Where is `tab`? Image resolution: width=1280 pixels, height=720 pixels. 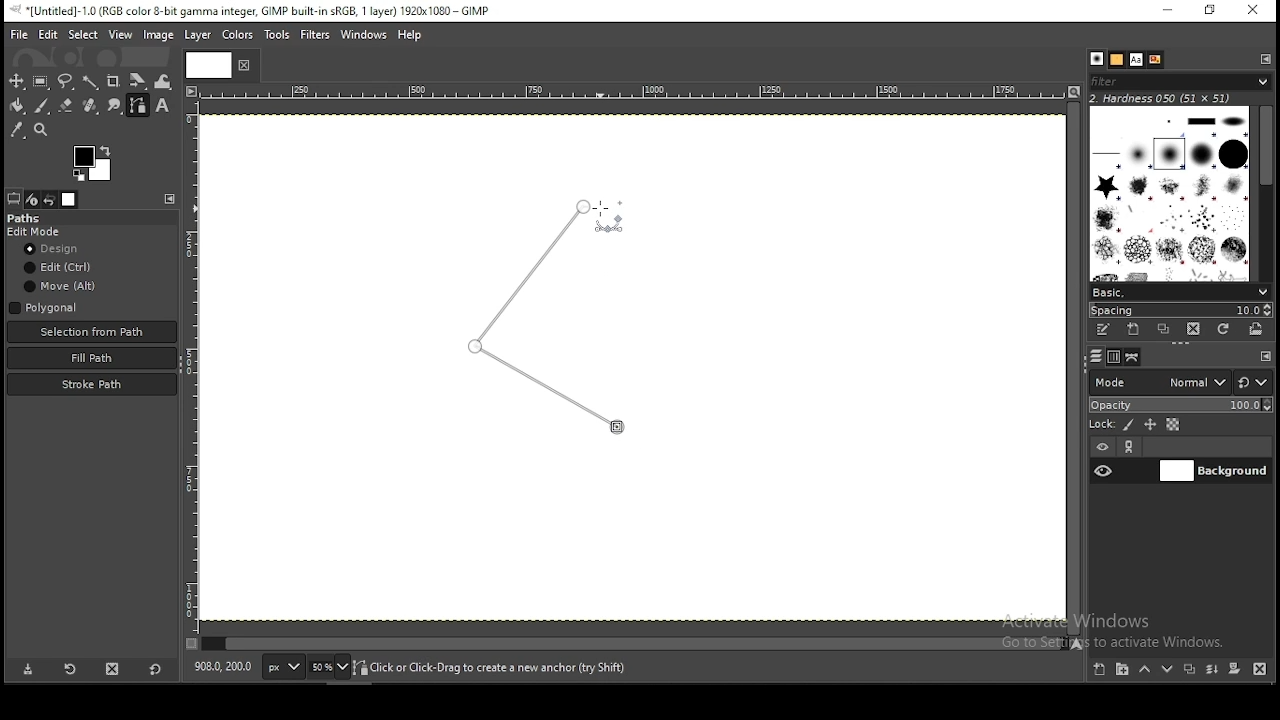 tab is located at coordinates (211, 65).